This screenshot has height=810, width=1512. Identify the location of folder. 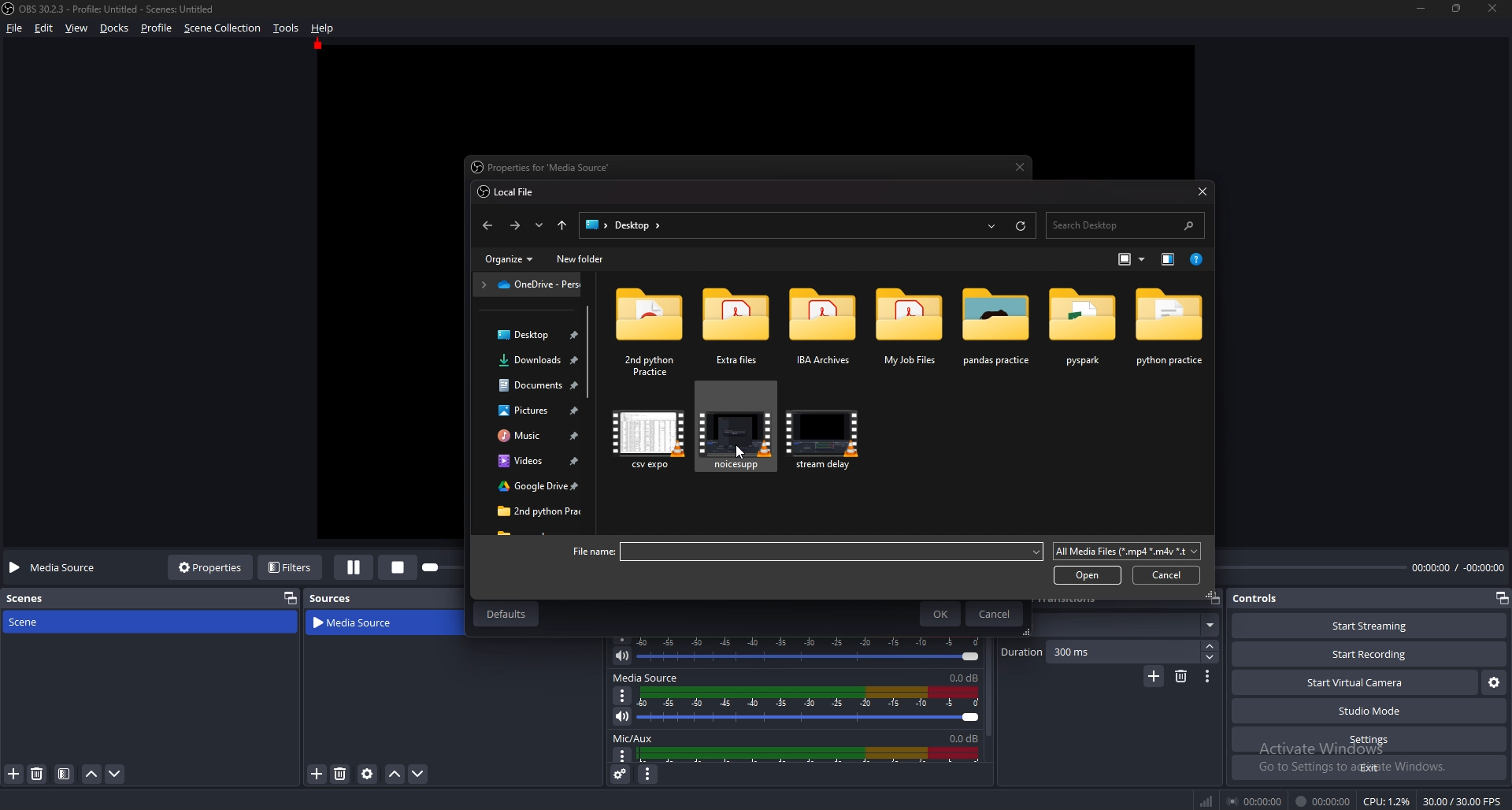
(737, 331).